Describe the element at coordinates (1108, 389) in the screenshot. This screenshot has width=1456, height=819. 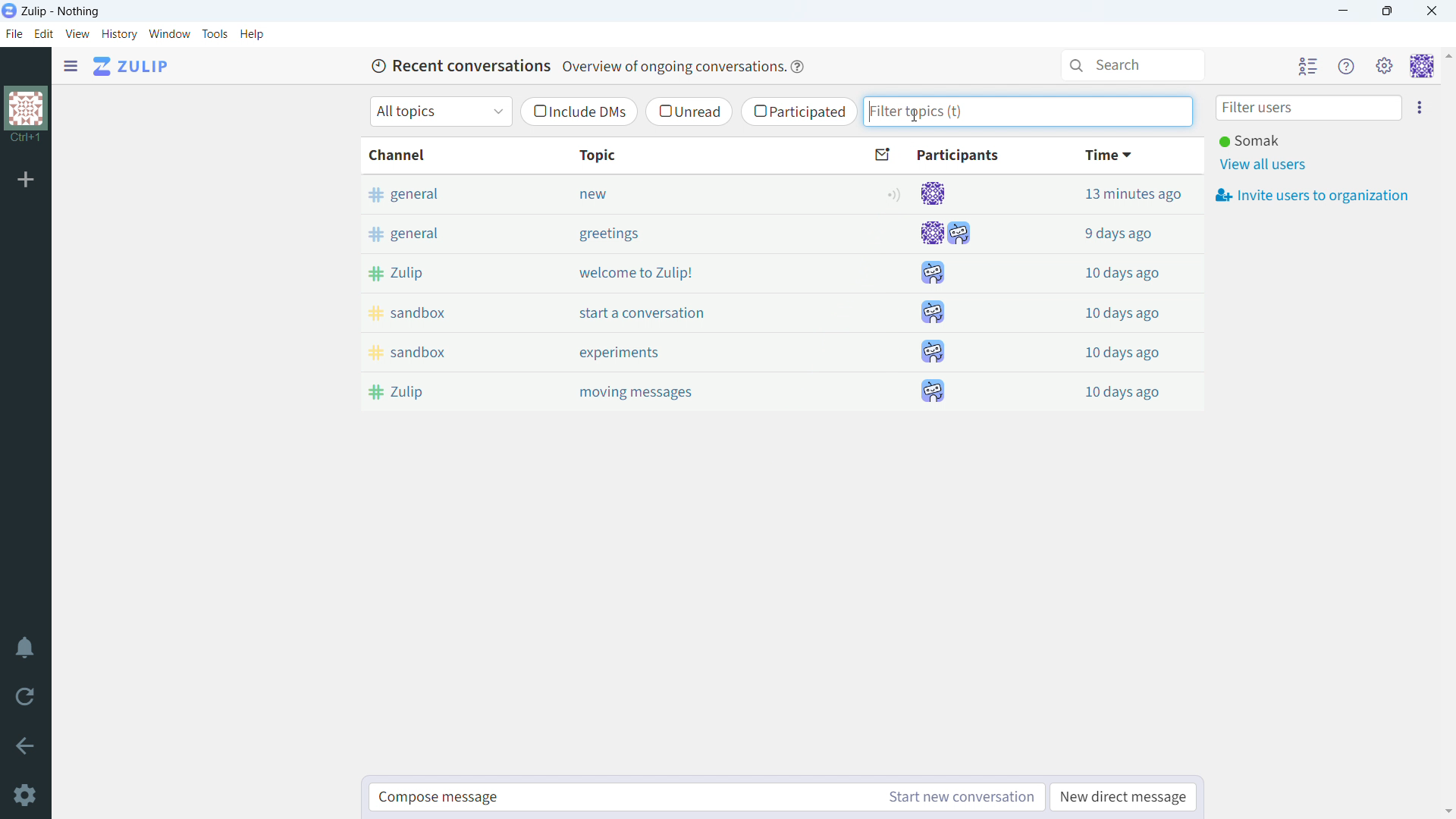
I see `10 days ago` at that location.